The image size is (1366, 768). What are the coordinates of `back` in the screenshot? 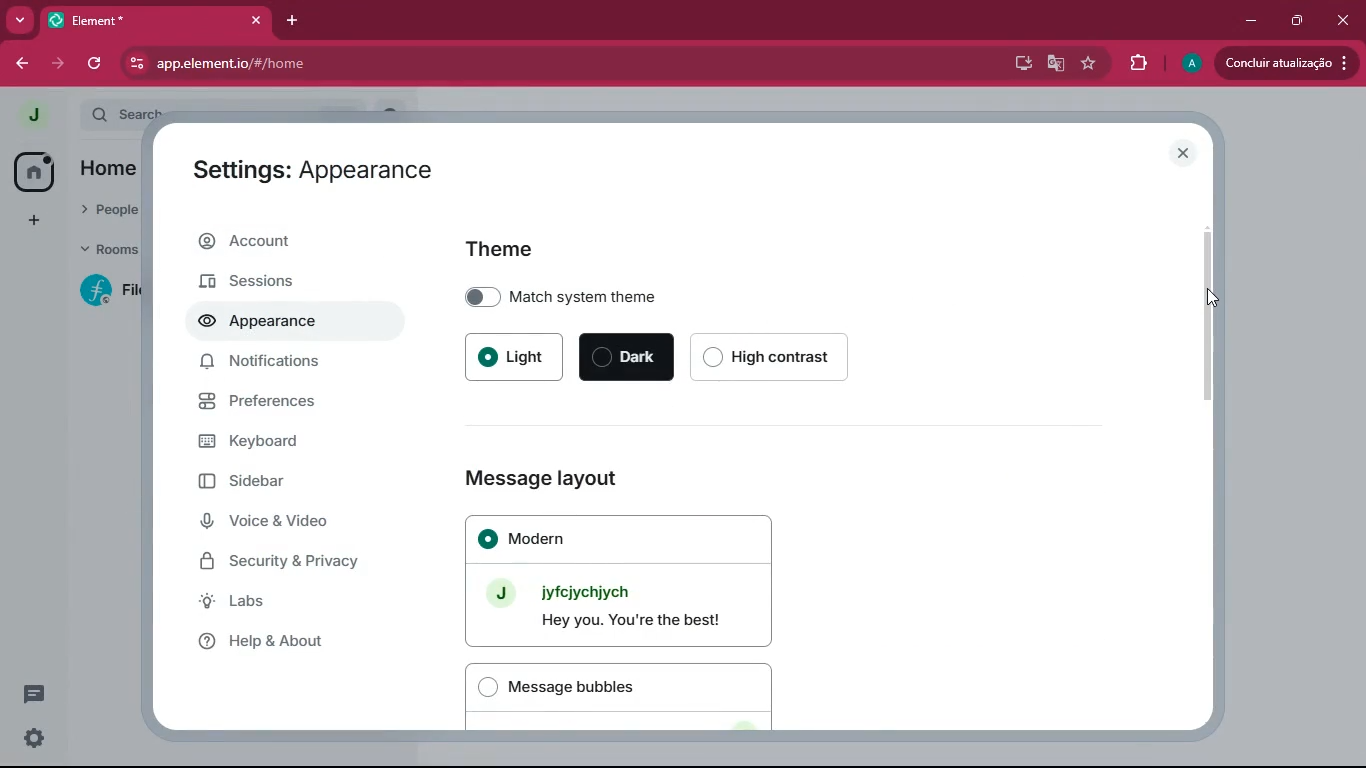 It's located at (21, 63).